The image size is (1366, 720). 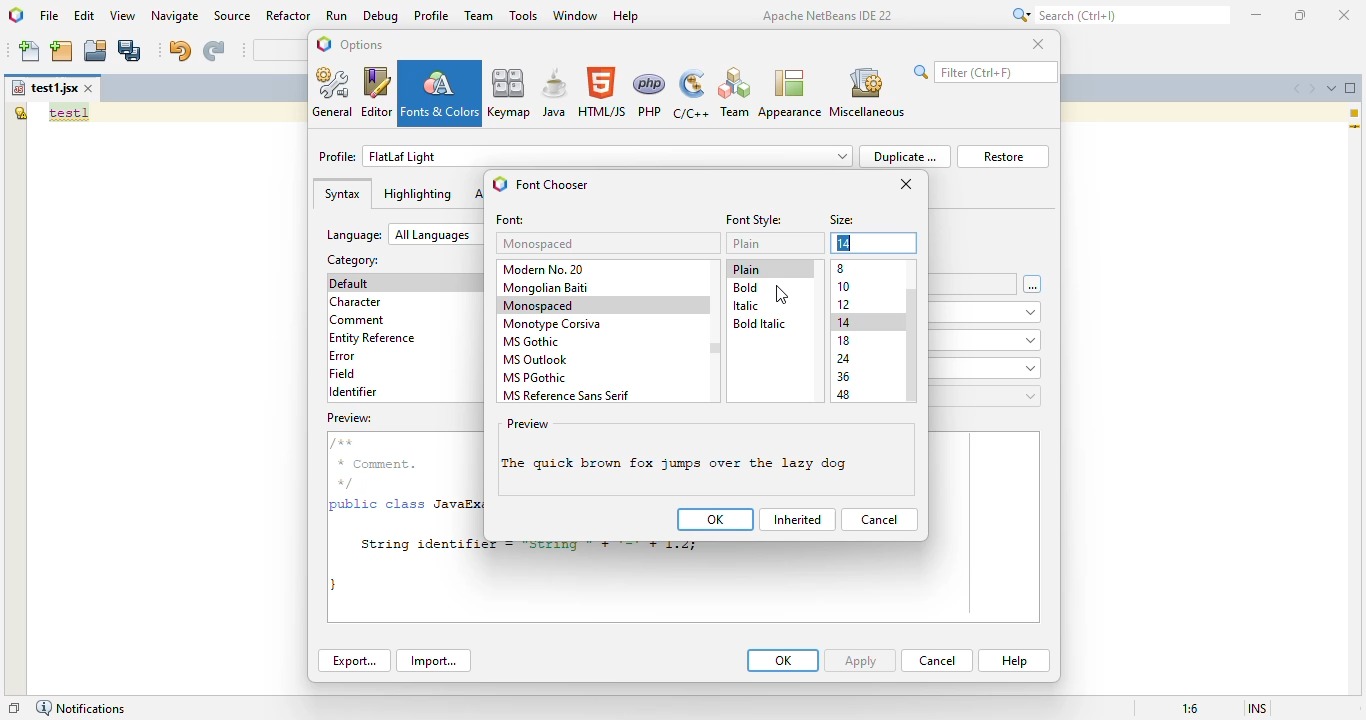 What do you see at coordinates (986, 72) in the screenshot?
I see `search` at bounding box center [986, 72].